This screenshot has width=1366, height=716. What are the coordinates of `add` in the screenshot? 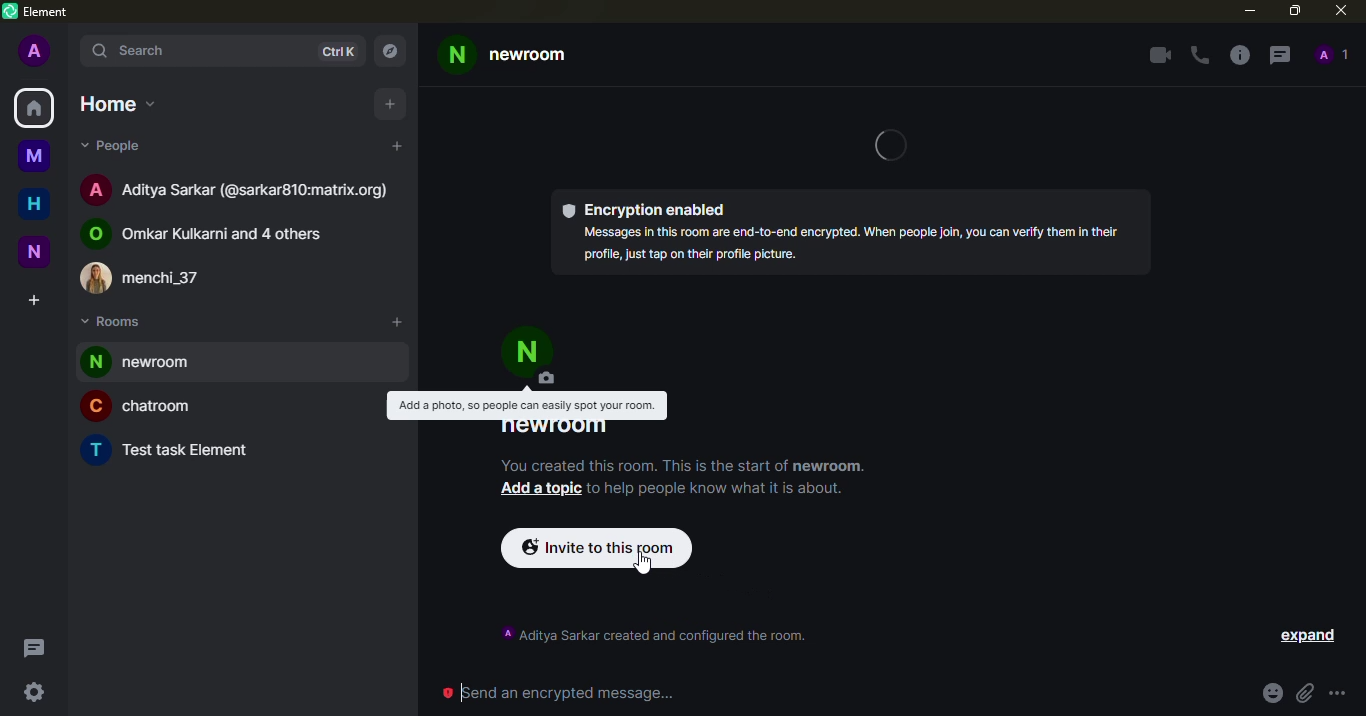 It's located at (398, 147).